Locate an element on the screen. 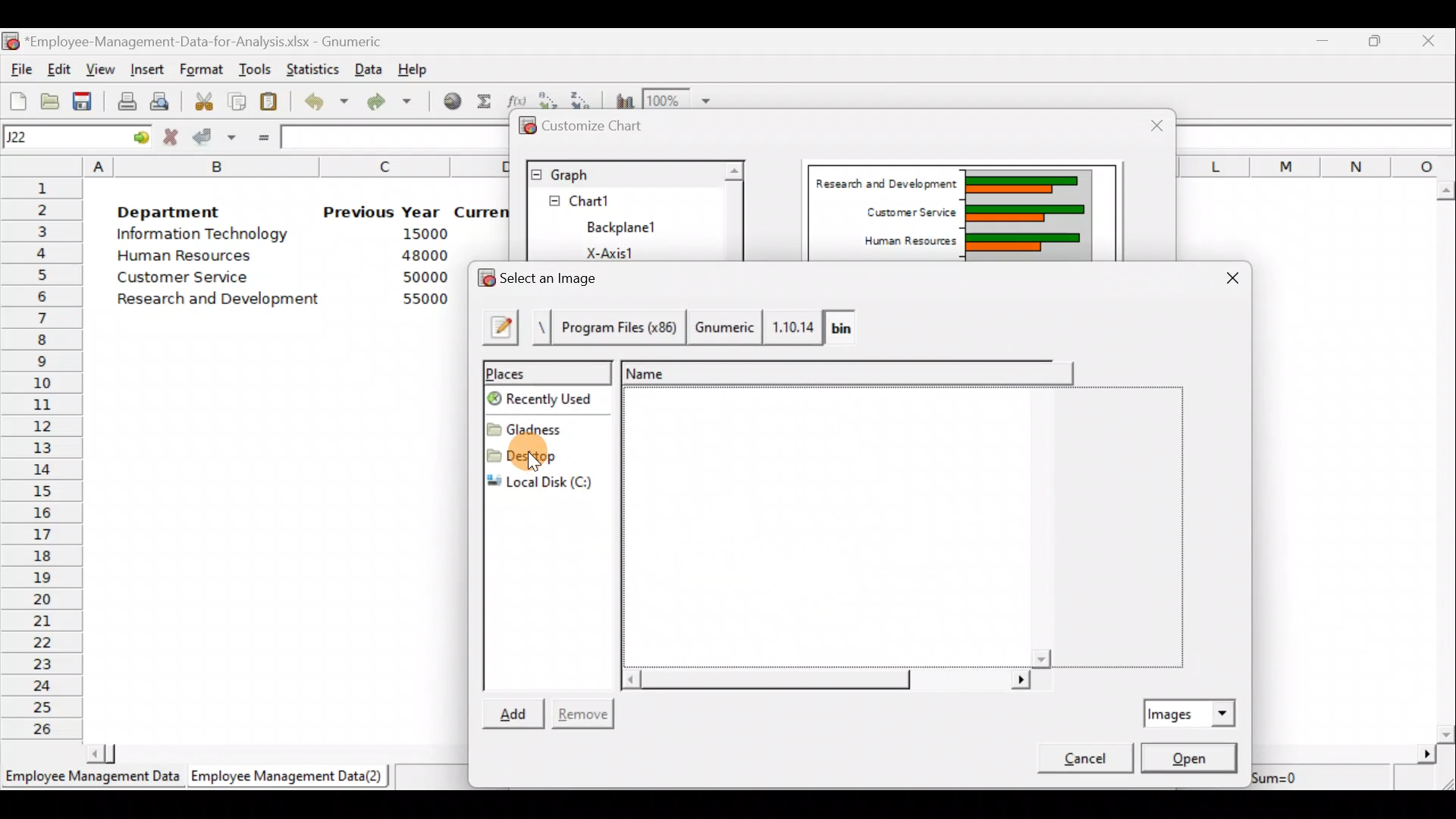 The image size is (1456, 819). Customer Service is located at coordinates (176, 278).